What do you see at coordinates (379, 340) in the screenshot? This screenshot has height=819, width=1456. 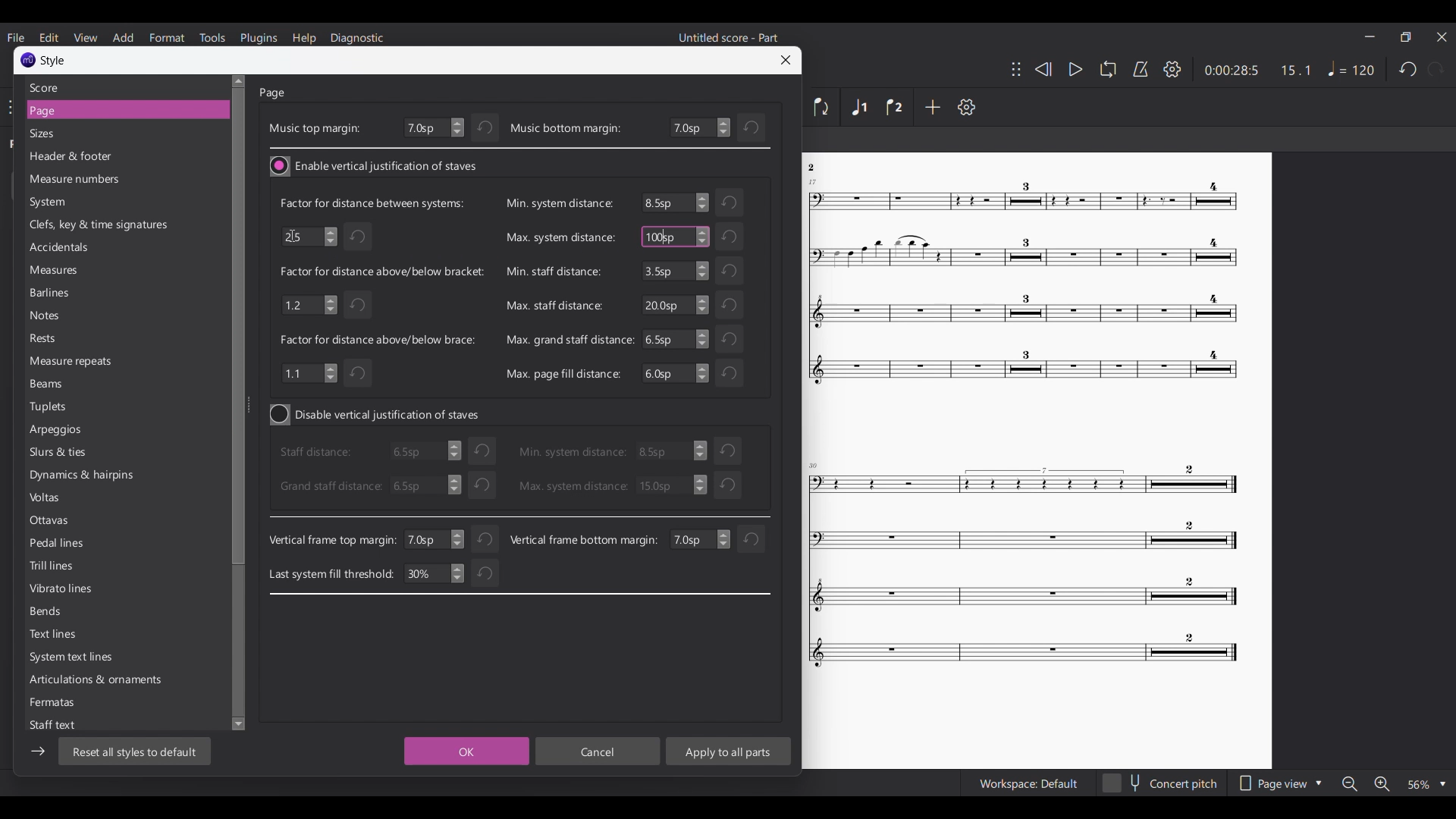 I see `Indicates factor for distance above/below brace` at bounding box center [379, 340].